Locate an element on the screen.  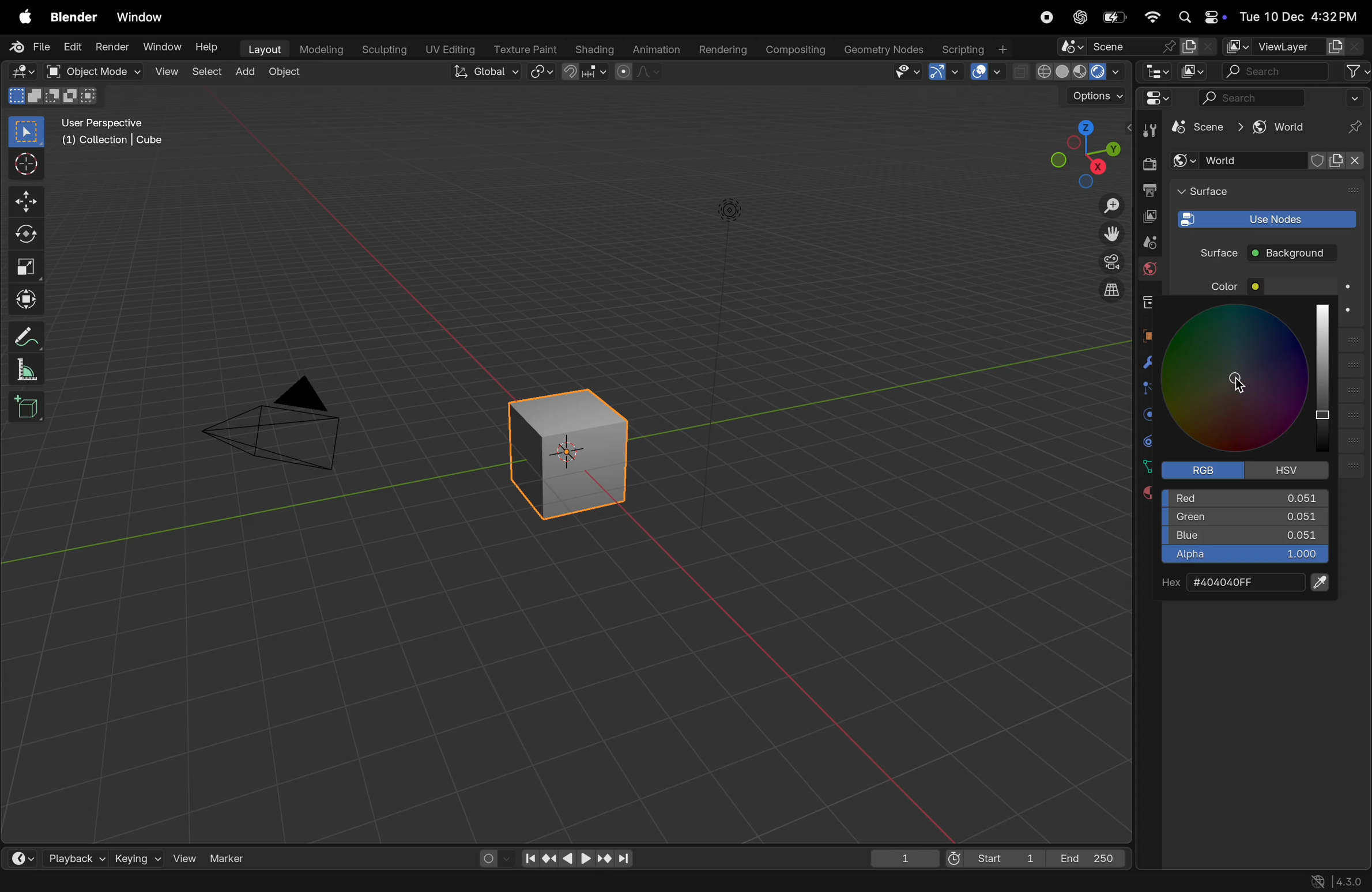
View is located at coordinates (164, 71).